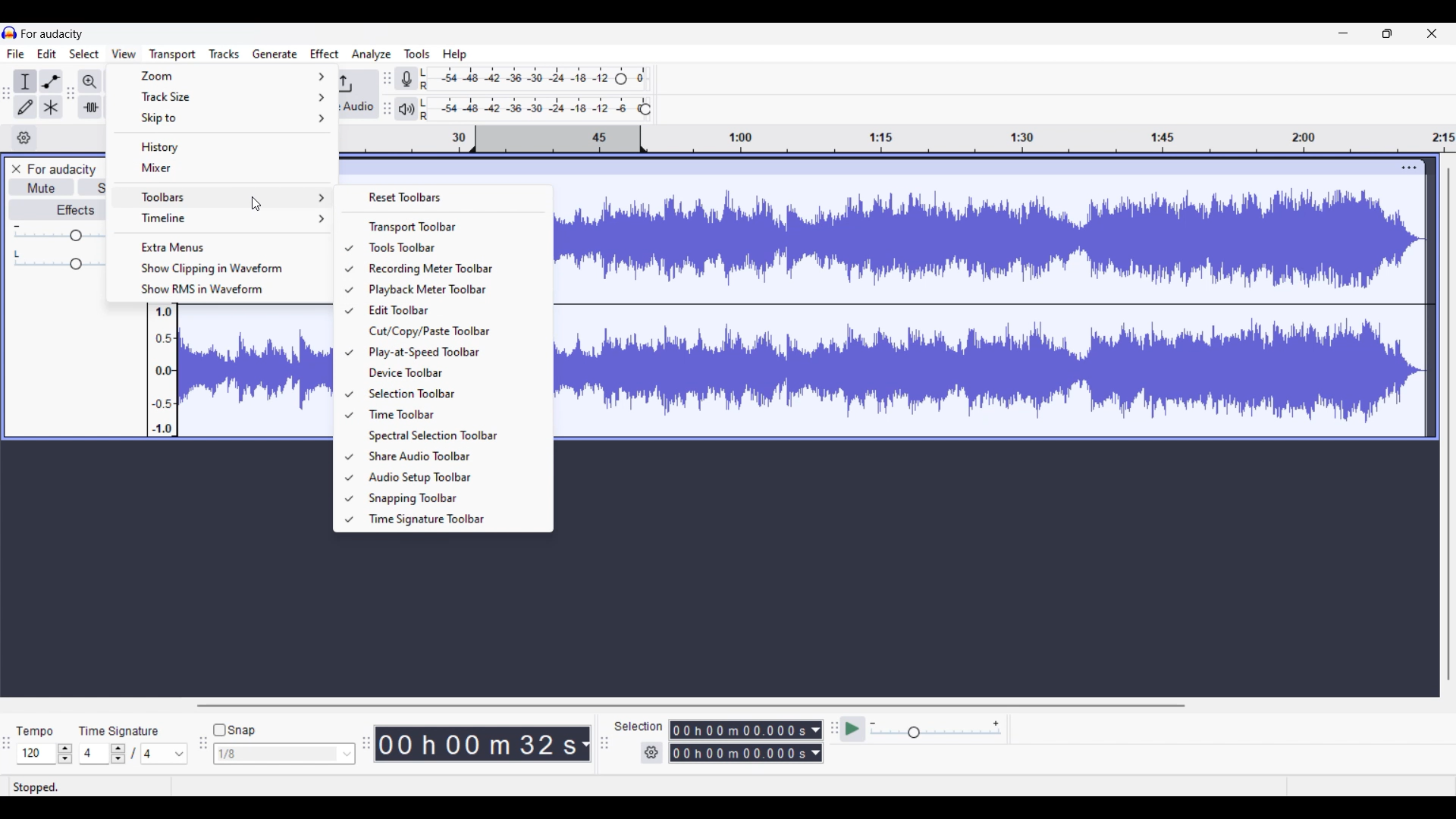  What do you see at coordinates (453, 478) in the screenshot?
I see `Audio setup toolbar` at bounding box center [453, 478].